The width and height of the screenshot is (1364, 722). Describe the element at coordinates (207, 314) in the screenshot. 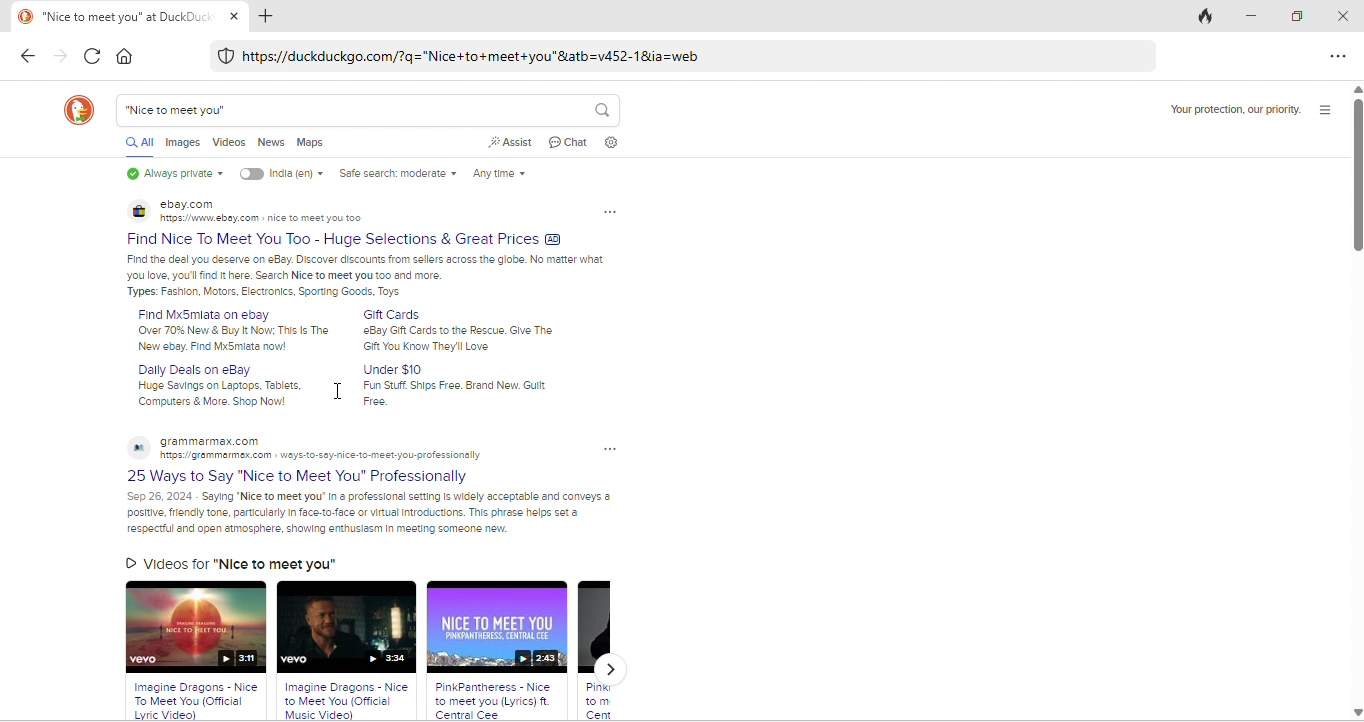

I see `text` at that location.